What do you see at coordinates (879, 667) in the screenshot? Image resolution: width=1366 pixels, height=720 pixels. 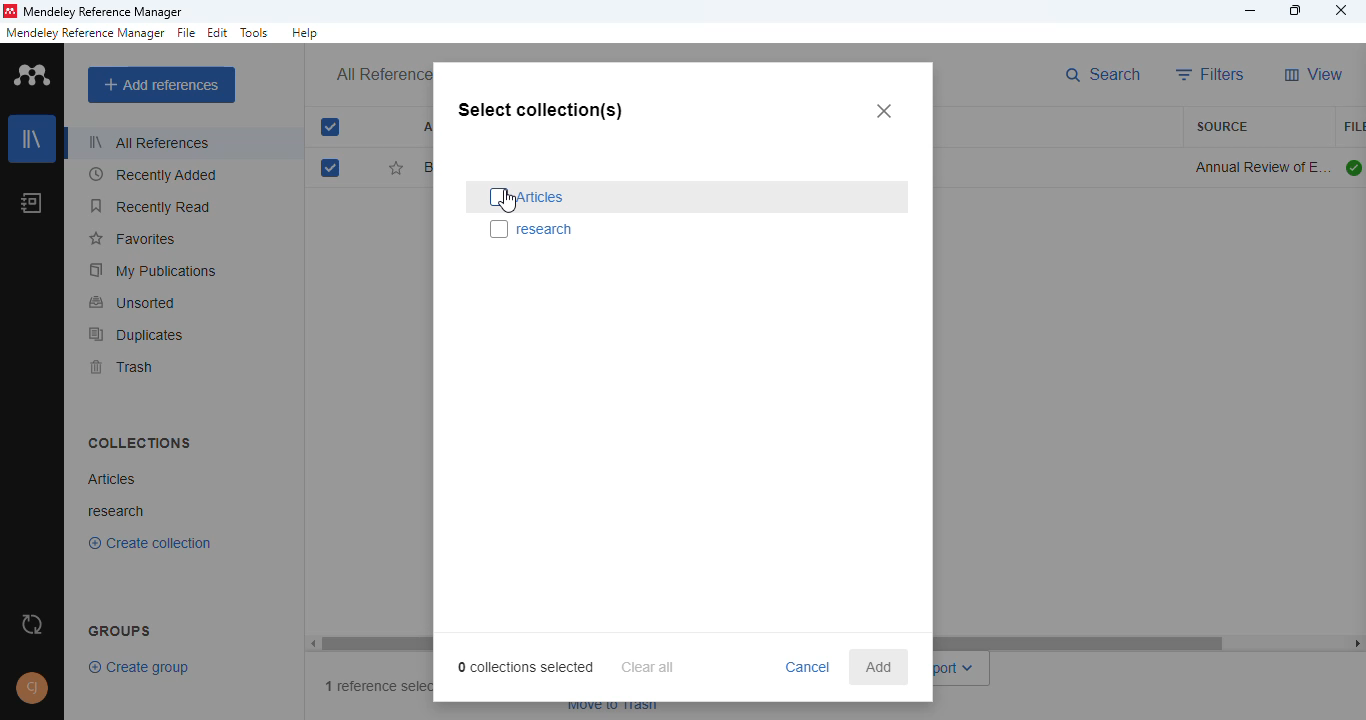 I see `add` at bounding box center [879, 667].